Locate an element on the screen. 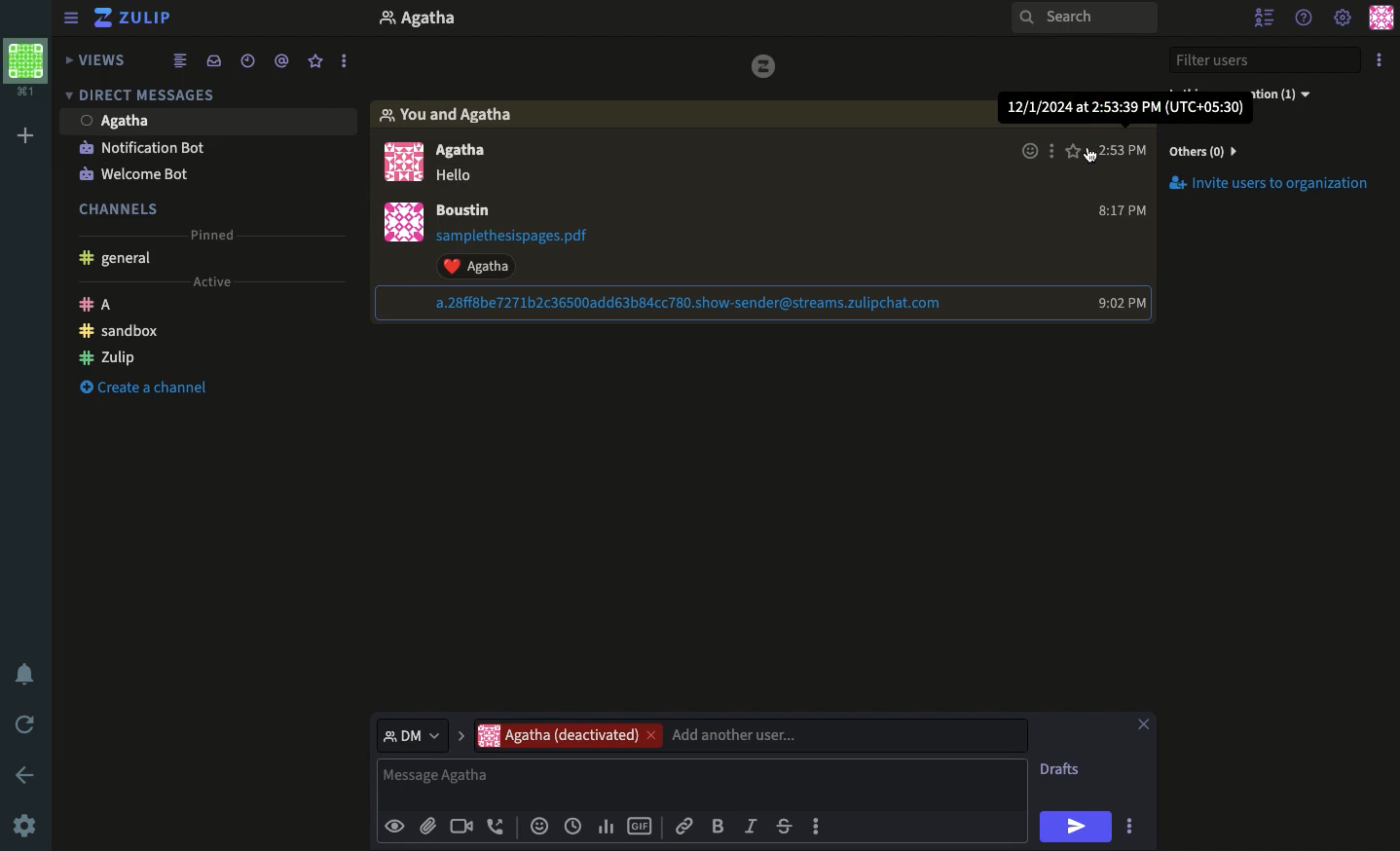 The image size is (1400, 851). Notification bot is located at coordinates (142, 147).